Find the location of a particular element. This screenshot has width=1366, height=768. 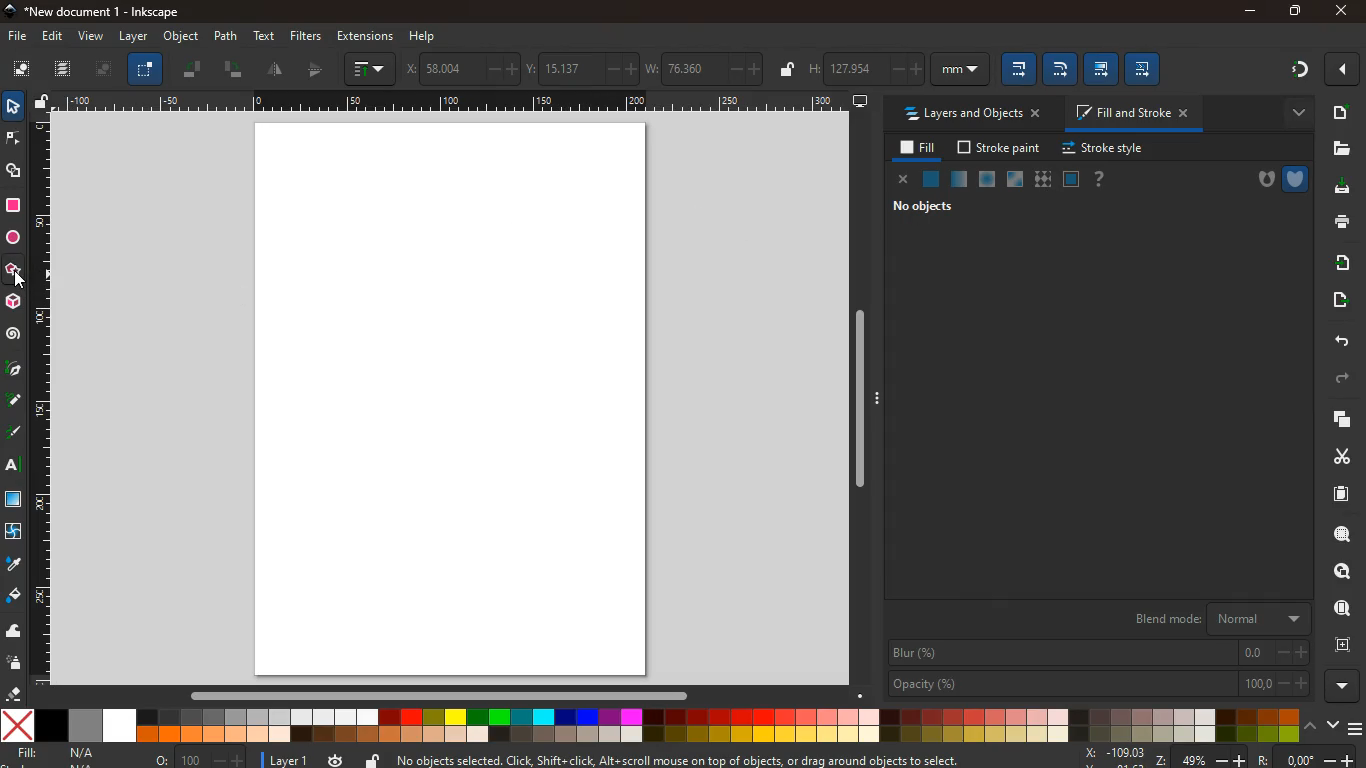

3d tool is located at coordinates (13, 302).